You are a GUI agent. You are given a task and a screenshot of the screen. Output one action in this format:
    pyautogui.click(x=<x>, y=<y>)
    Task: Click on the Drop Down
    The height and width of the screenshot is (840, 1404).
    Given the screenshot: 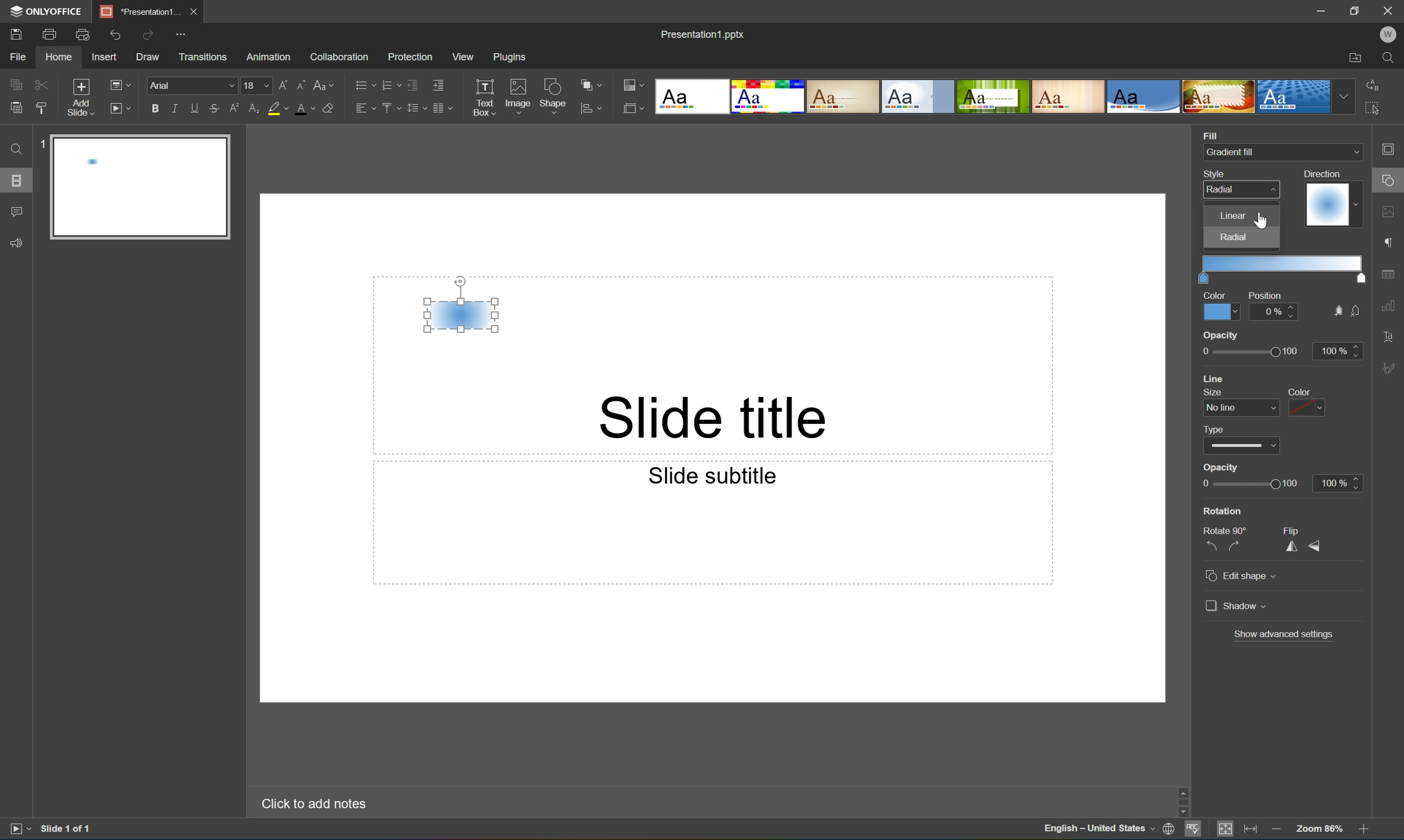 What is the action you would take?
    pyautogui.click(x=1354, y=152)
    